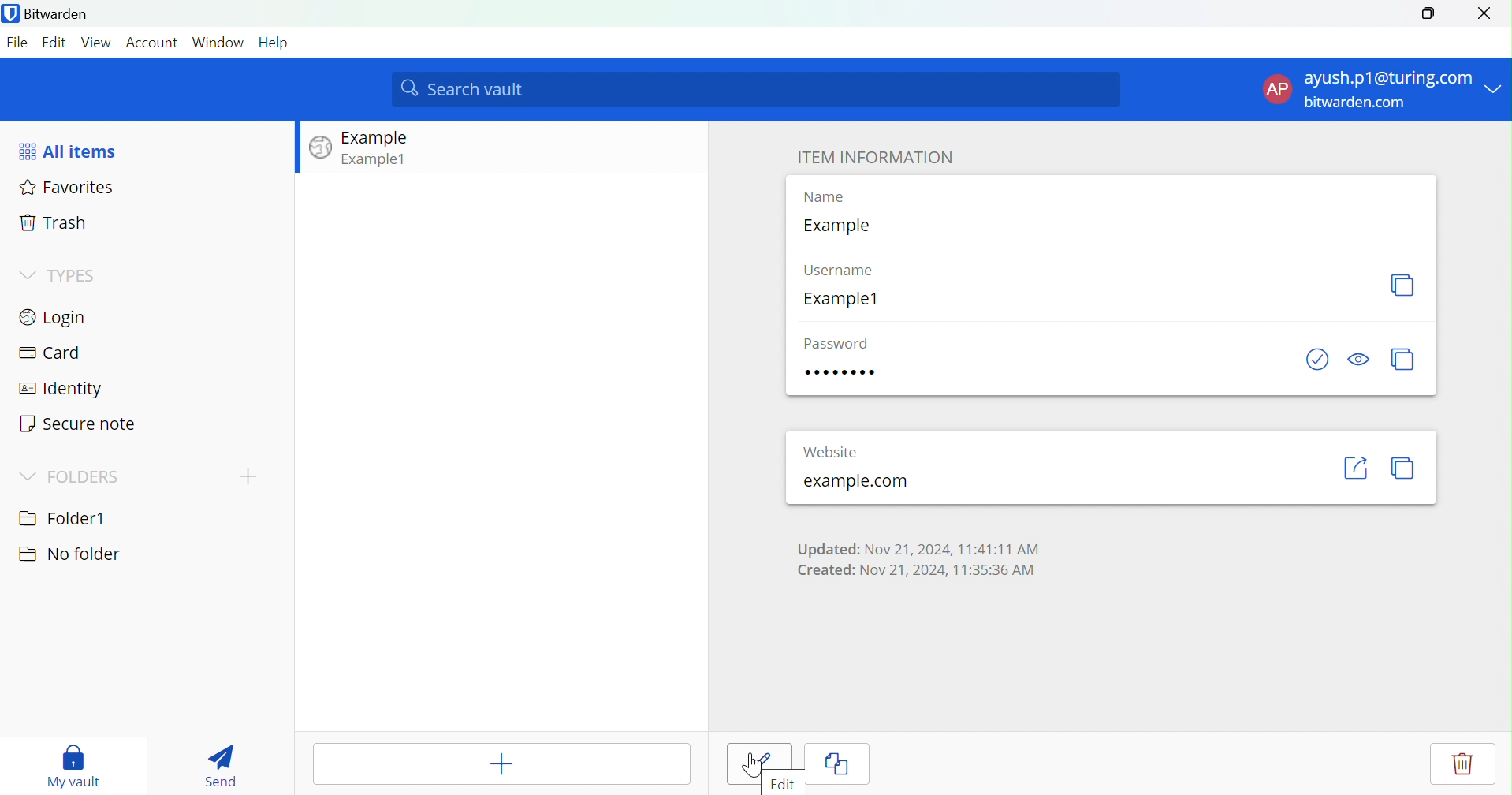 This screenshot has height=795, width=1512. I want to click on View, so click(98, 42).